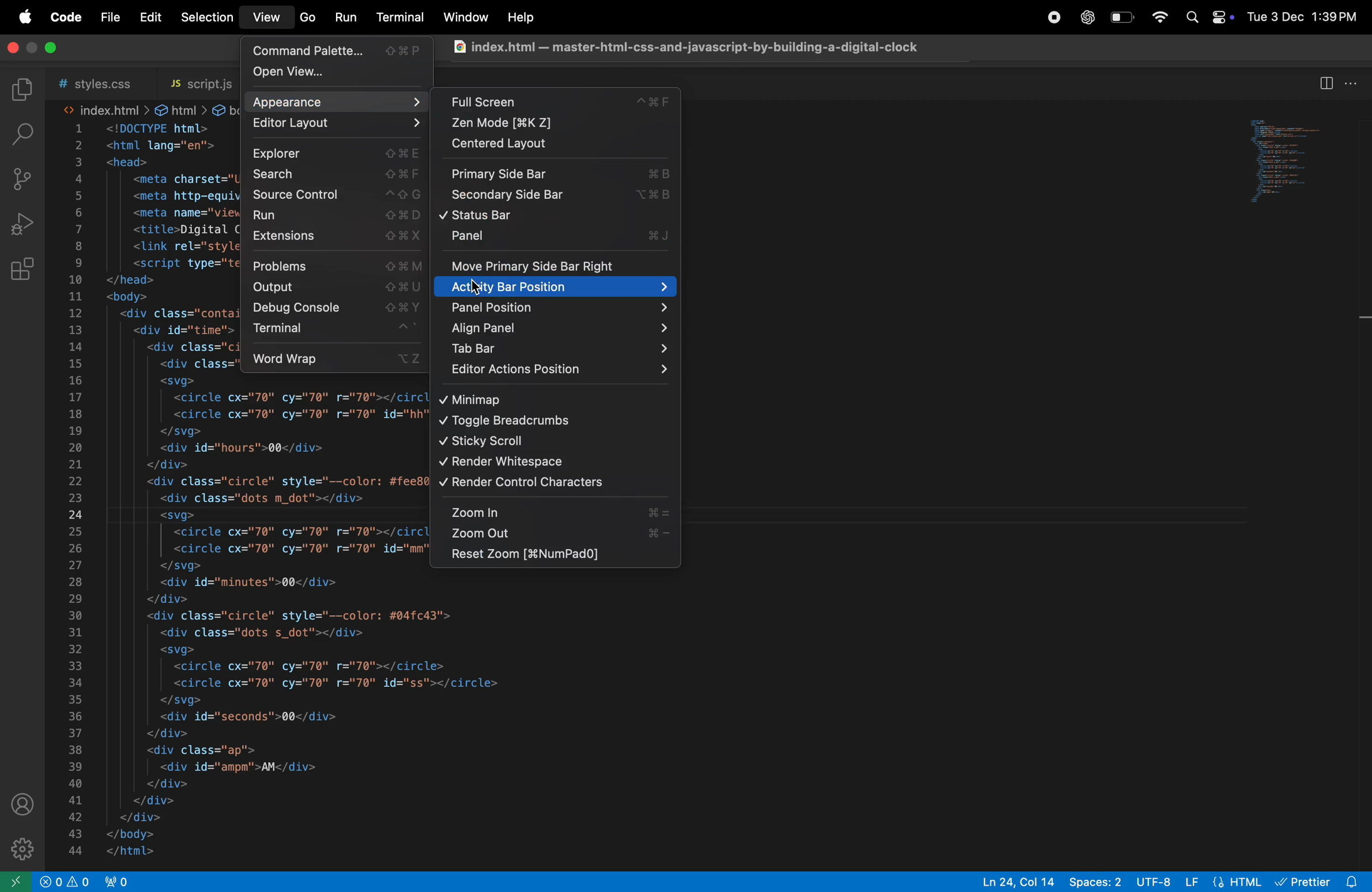 Image resolution: width=1372 pixels, height=892 pixels. What do you see at coordinates (463, 18) in the screenshot?
I see `window` at bounding box center [463, 18].